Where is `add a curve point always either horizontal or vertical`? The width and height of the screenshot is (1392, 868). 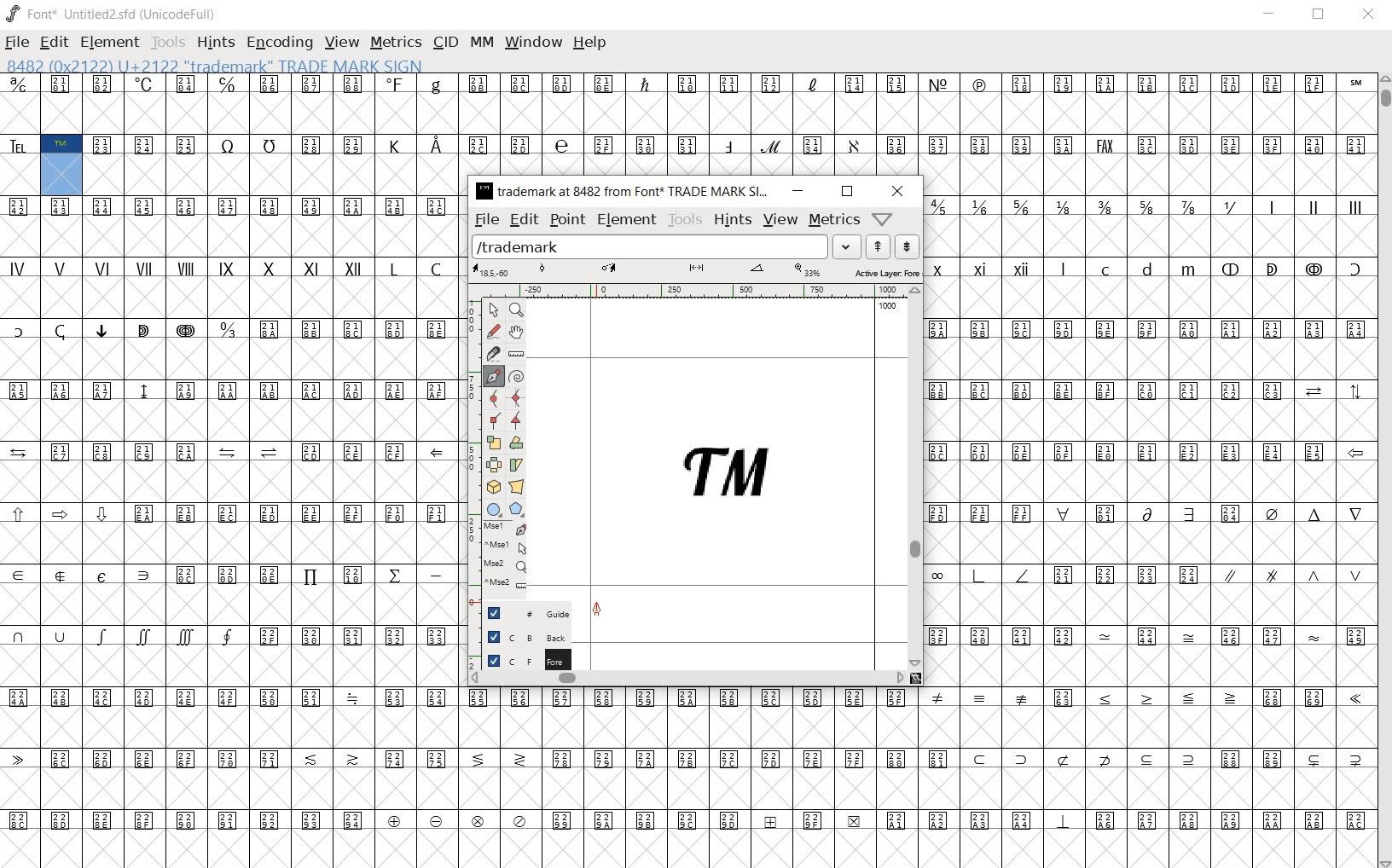
add a curve point always either horizontal or vertical is located at coordinates (518, 397).